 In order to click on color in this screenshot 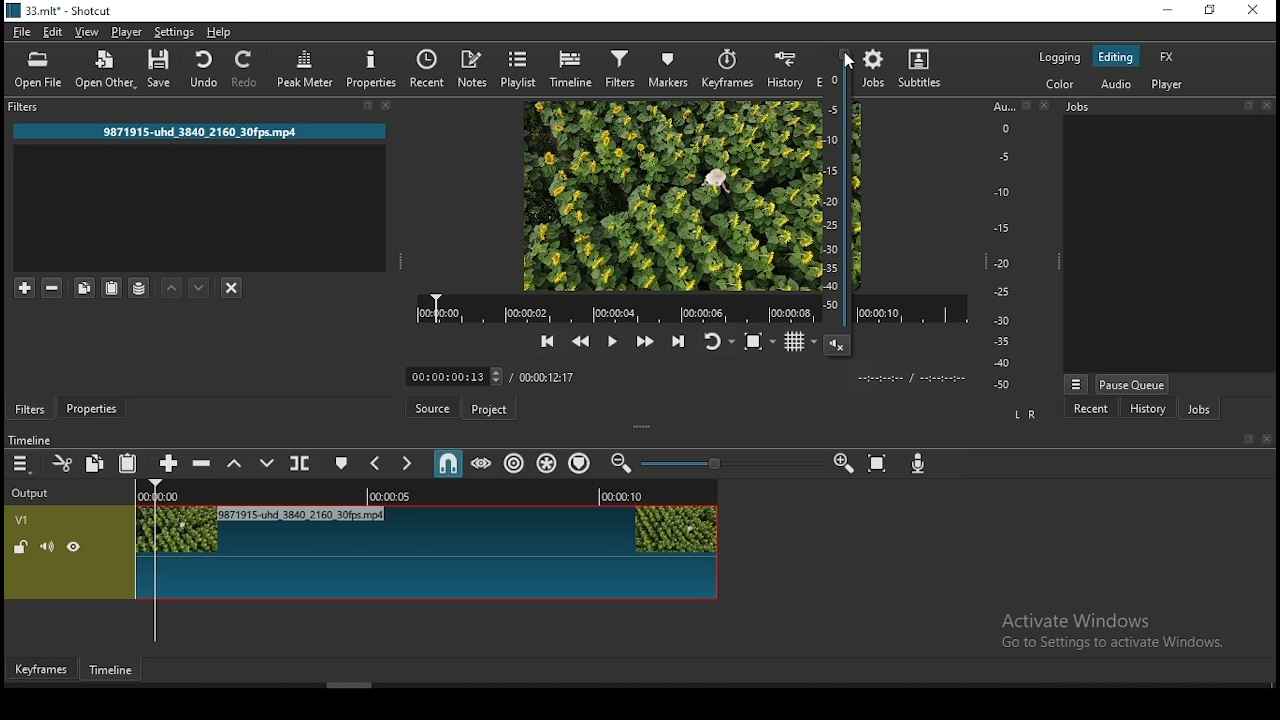, I will do `click(1051, 86)`.